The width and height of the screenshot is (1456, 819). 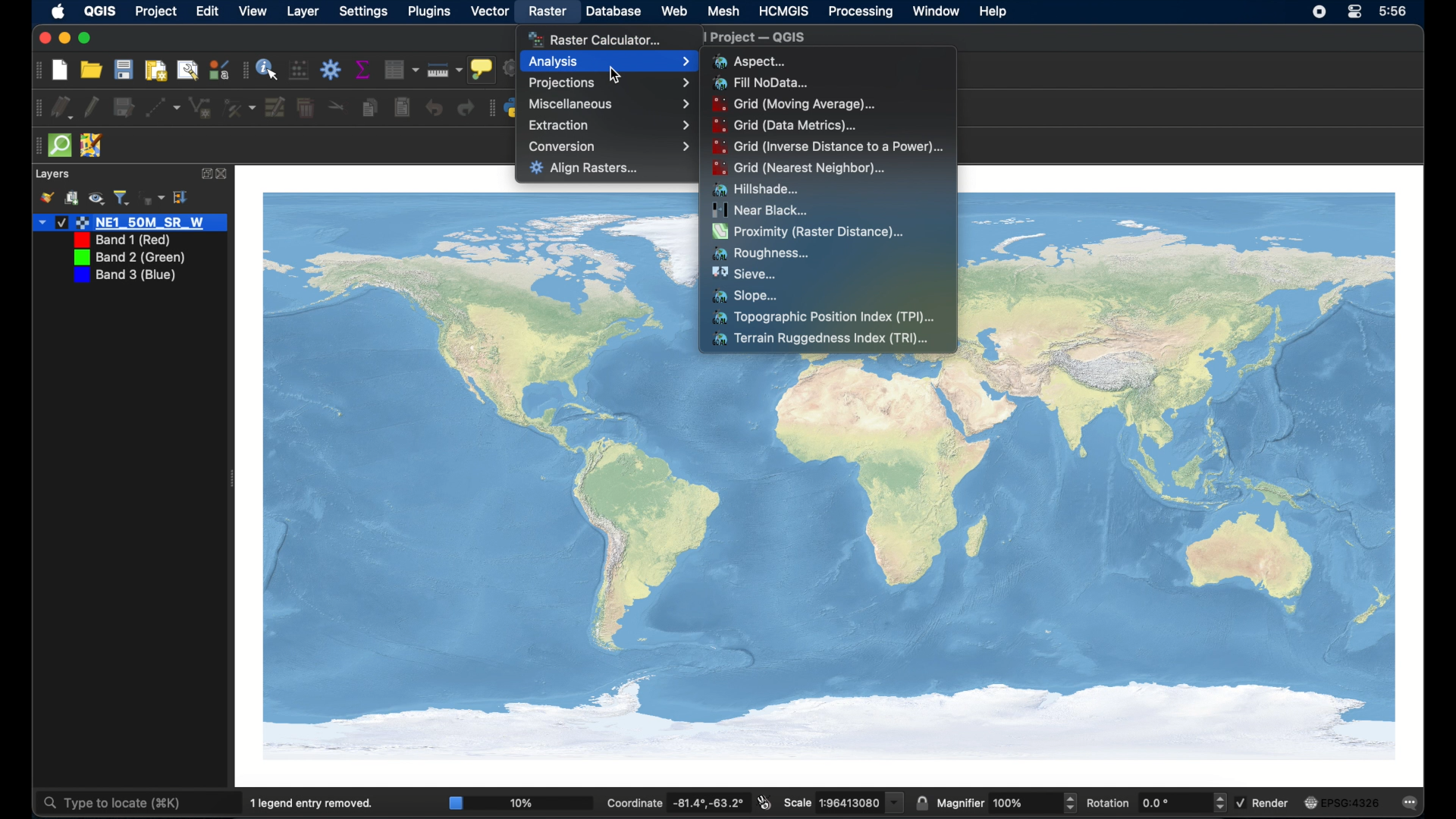 I want to click on undo, so click(x=434, y=108).